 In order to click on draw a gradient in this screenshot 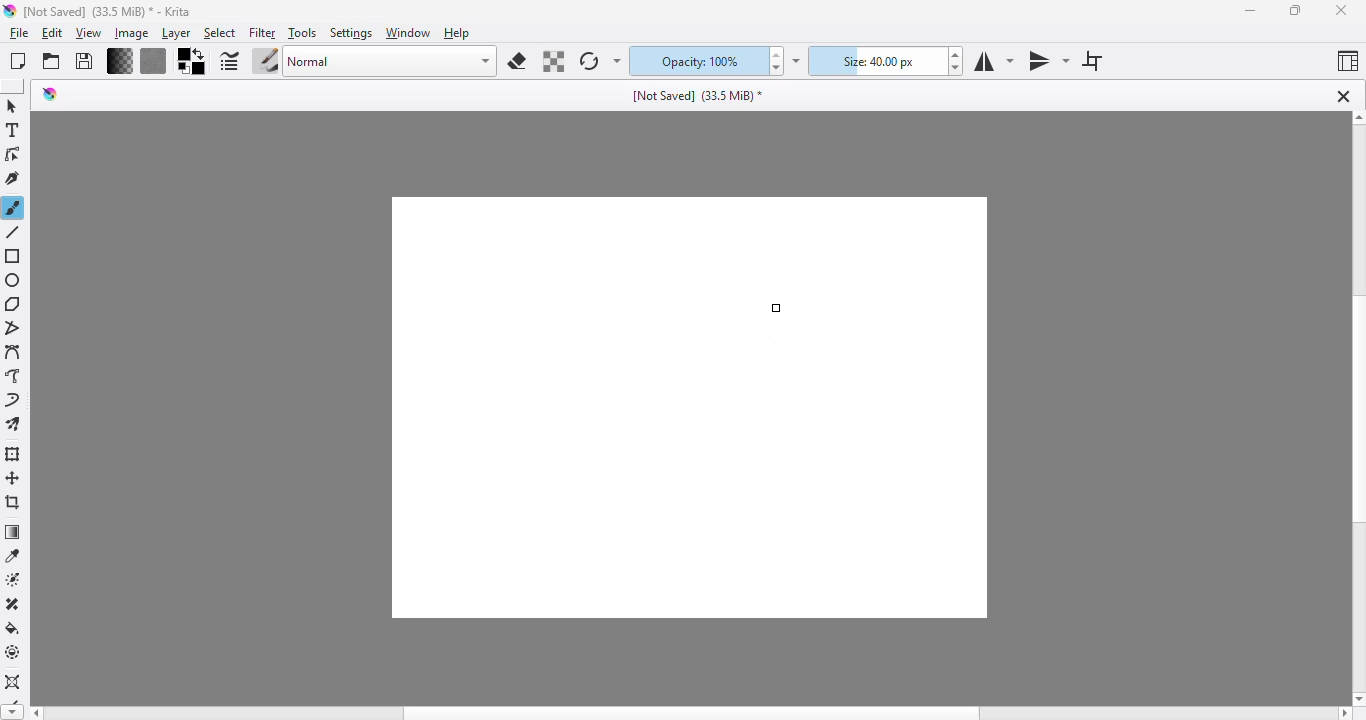, I will do `click(13, 532)`.